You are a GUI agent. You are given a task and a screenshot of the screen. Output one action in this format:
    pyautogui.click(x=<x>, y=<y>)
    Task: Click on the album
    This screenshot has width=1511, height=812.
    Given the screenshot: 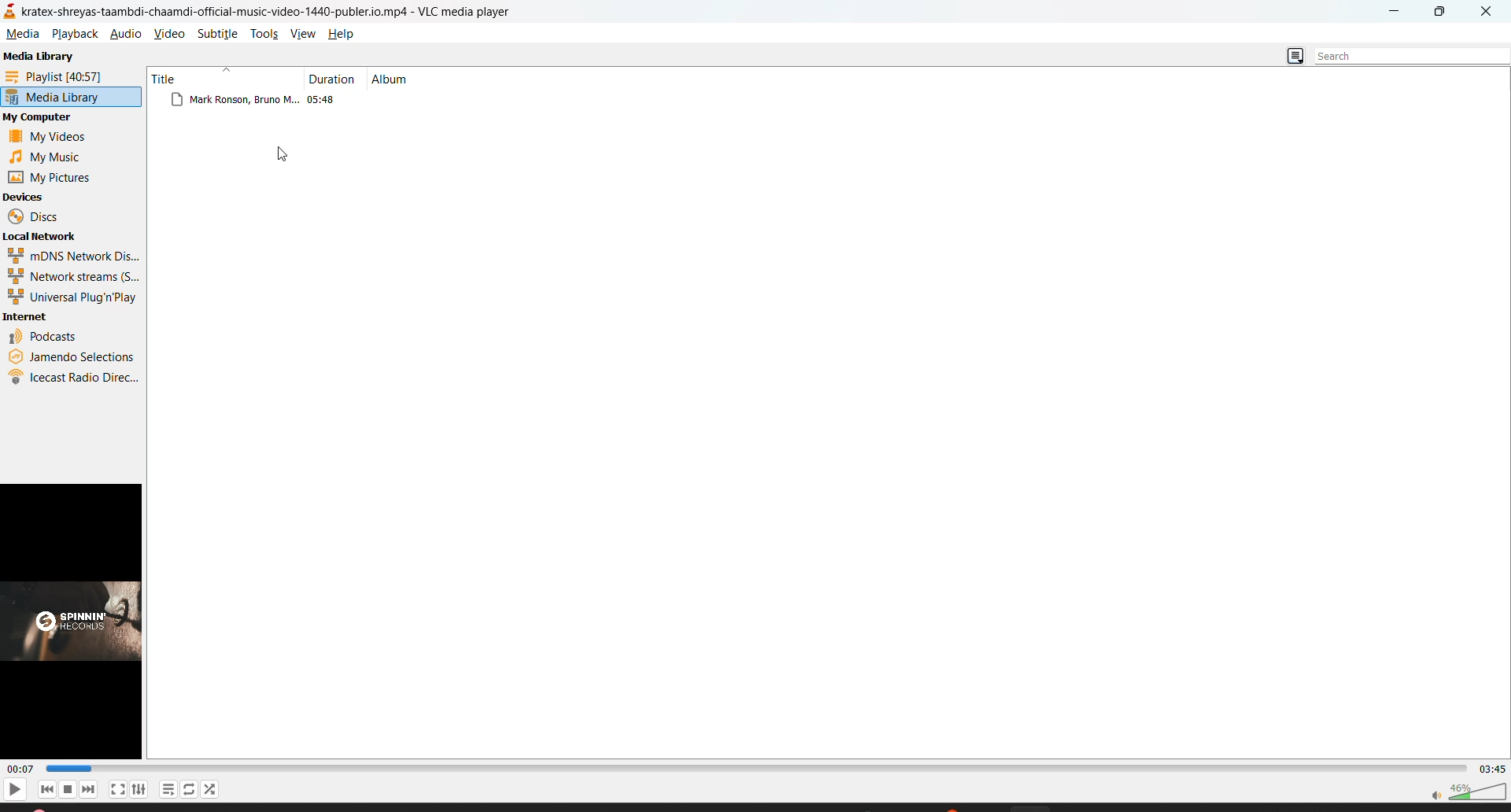 What is the action you would take?
    pyautogui.click(x=399, y=79)
    